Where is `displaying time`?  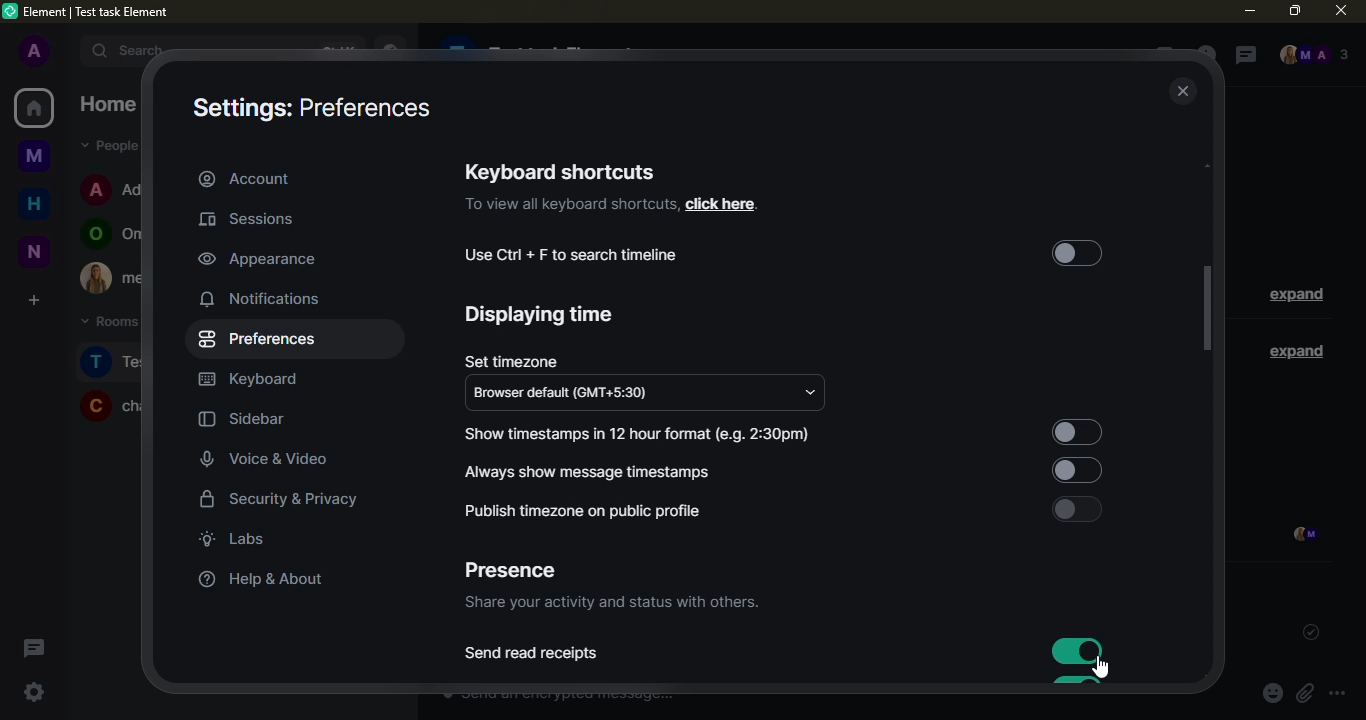
displaying time is located at coordinates (541, 315).